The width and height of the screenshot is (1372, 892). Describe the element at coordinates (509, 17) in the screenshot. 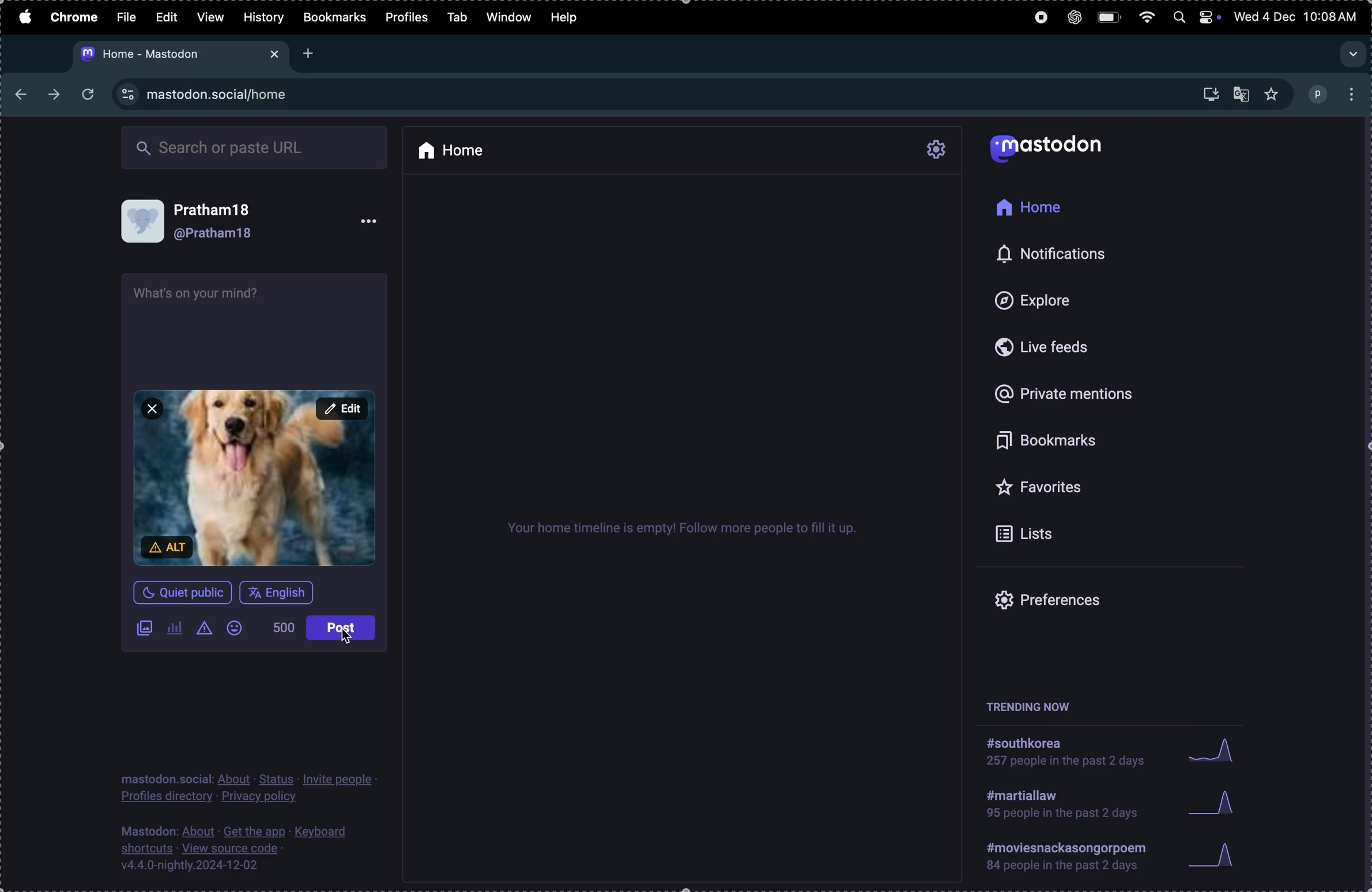

I see `window` at that location.